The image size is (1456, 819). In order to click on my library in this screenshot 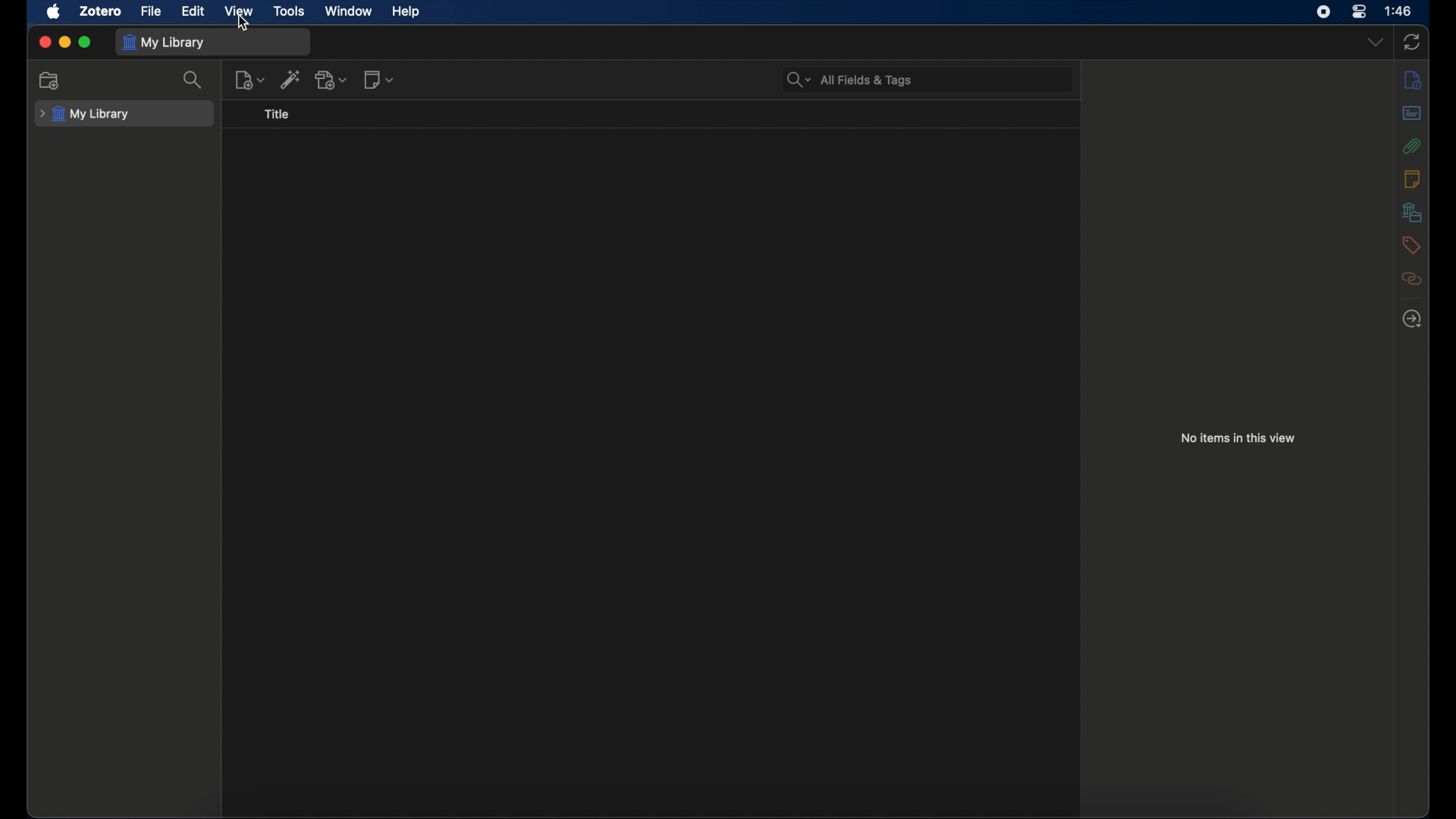, I will do `click(85, 115)`.